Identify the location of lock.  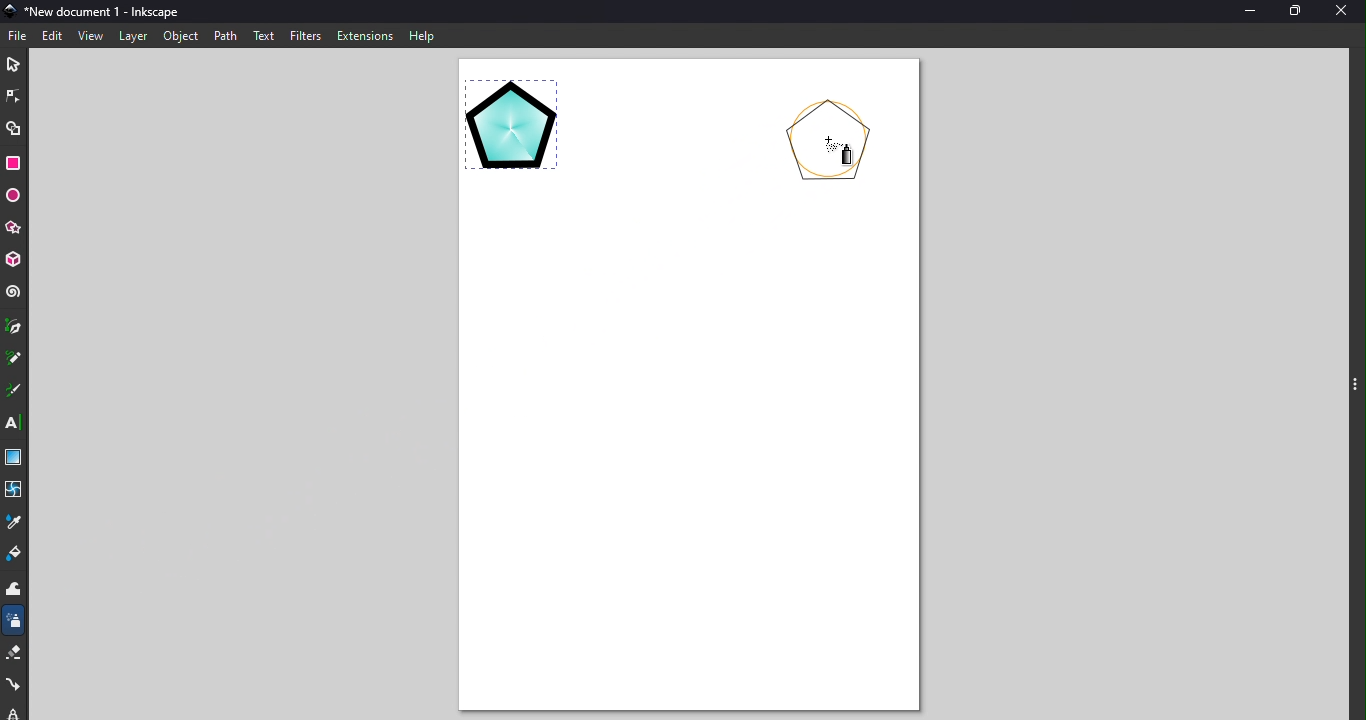
(14, 710).